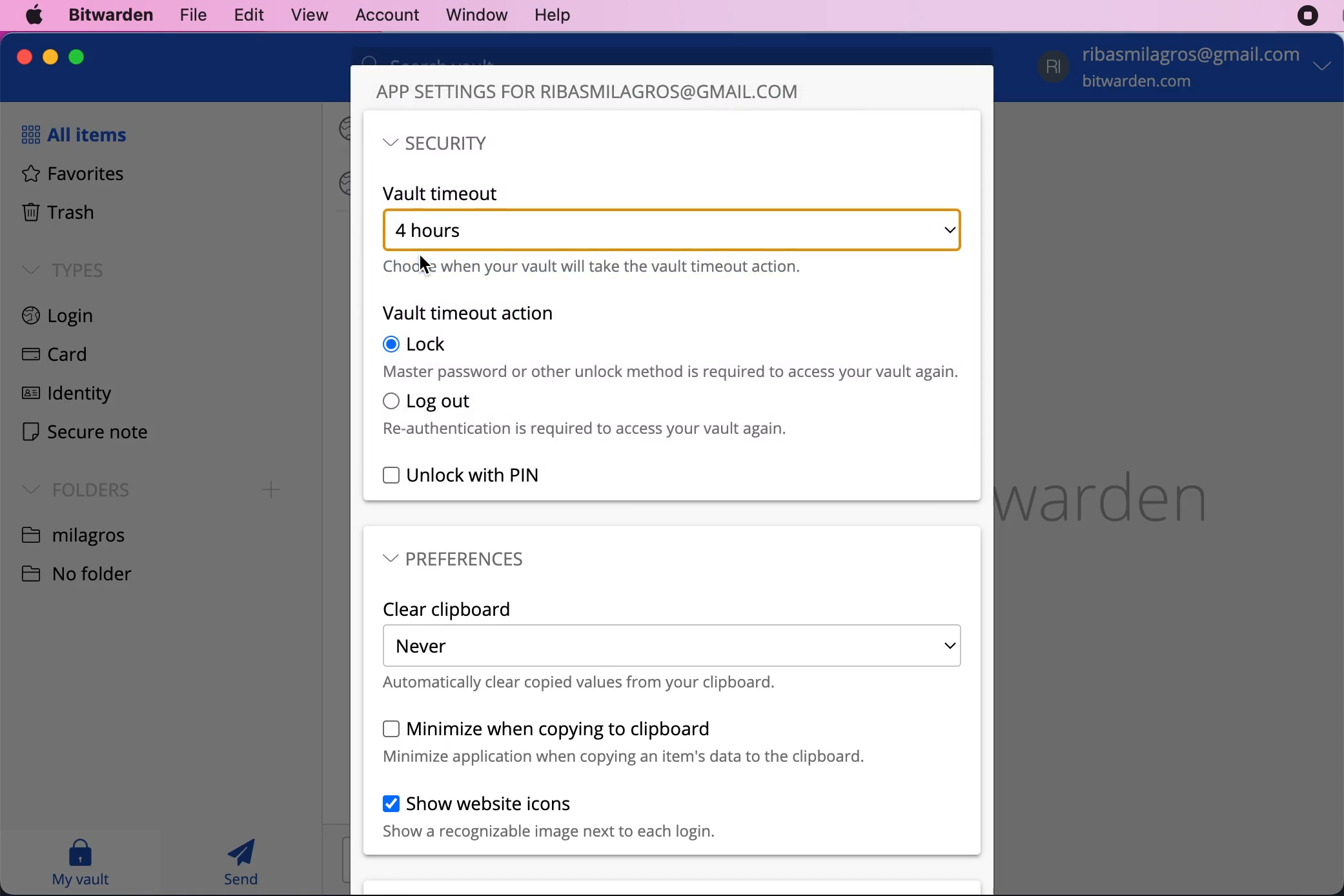 The width and height of the screenshot is (1344, 896). What do you see at coordinates (674, 357) in the screenshot?
I see `lock` at bounding box center [674, 357].